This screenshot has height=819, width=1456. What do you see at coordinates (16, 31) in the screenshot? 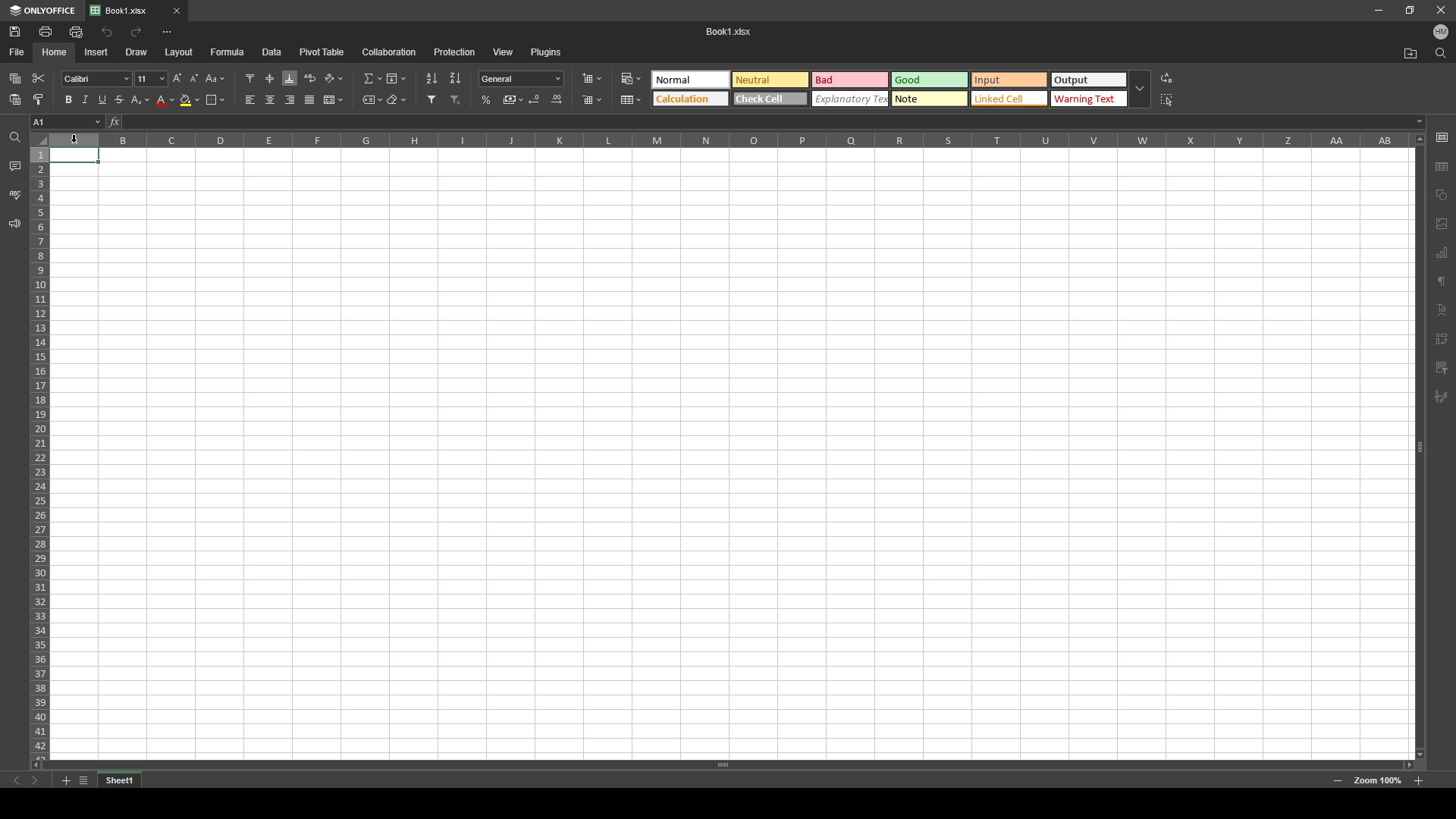
I see `save` at bounding box center [16, 31].